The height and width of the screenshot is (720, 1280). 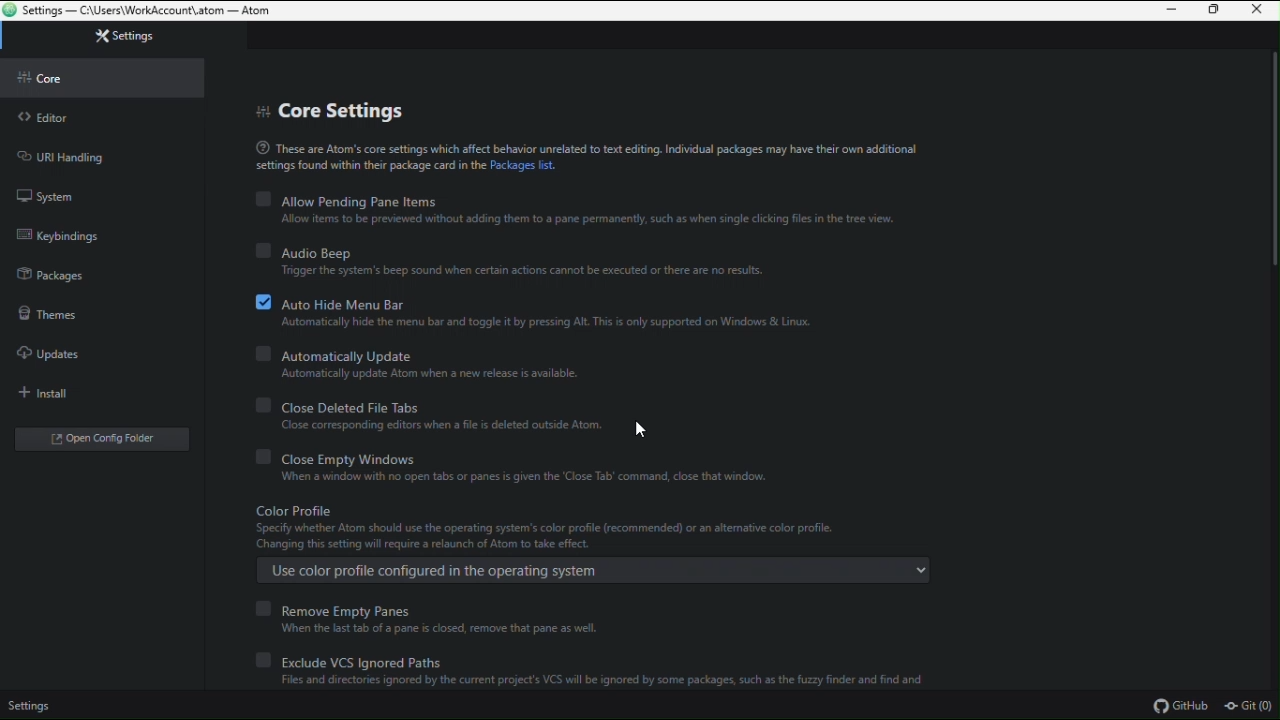 I want to click on Remove empty panes, so click(x=356, y=609).